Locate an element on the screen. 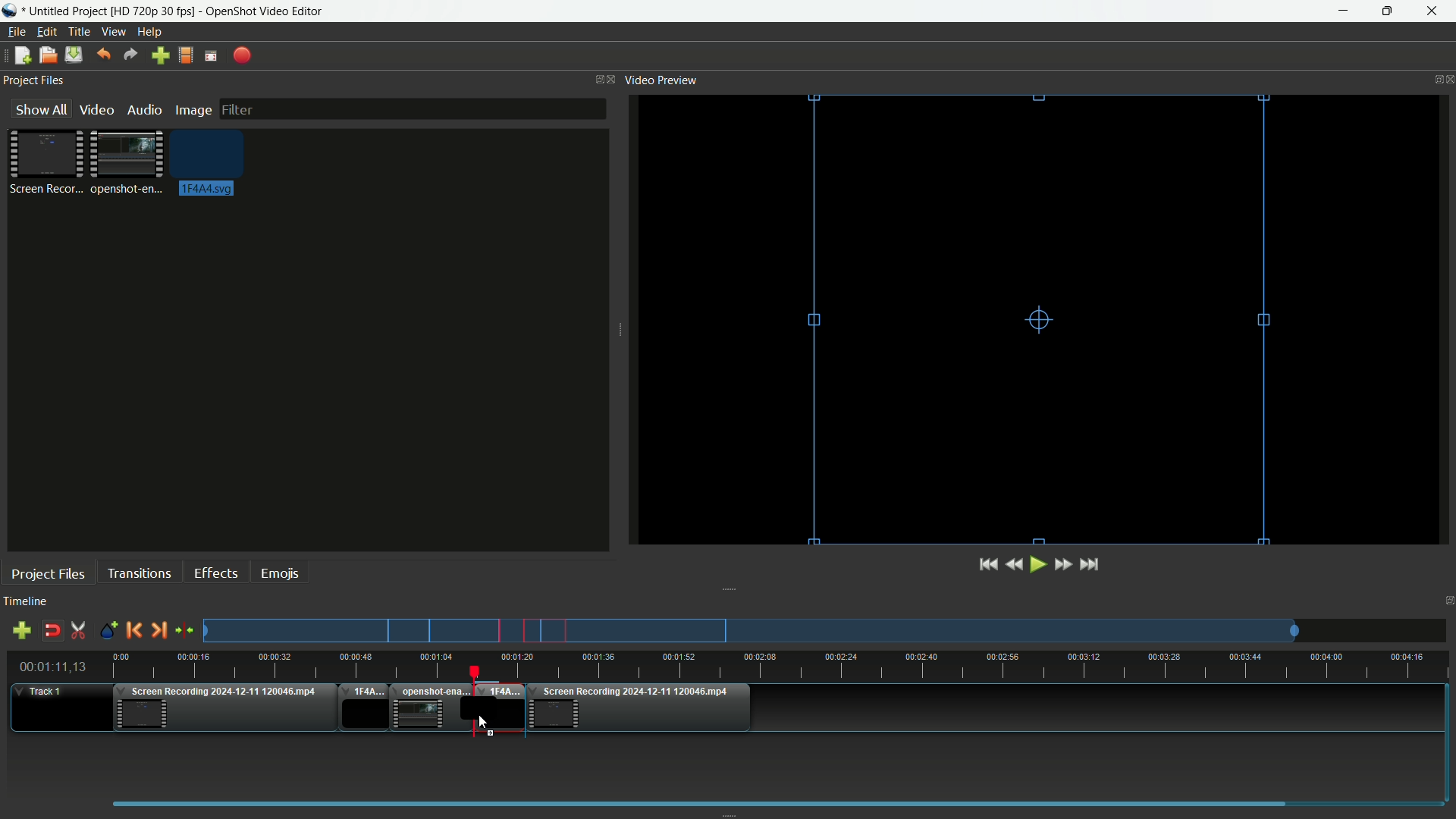  Change layout is located at coordinates (595, 80).